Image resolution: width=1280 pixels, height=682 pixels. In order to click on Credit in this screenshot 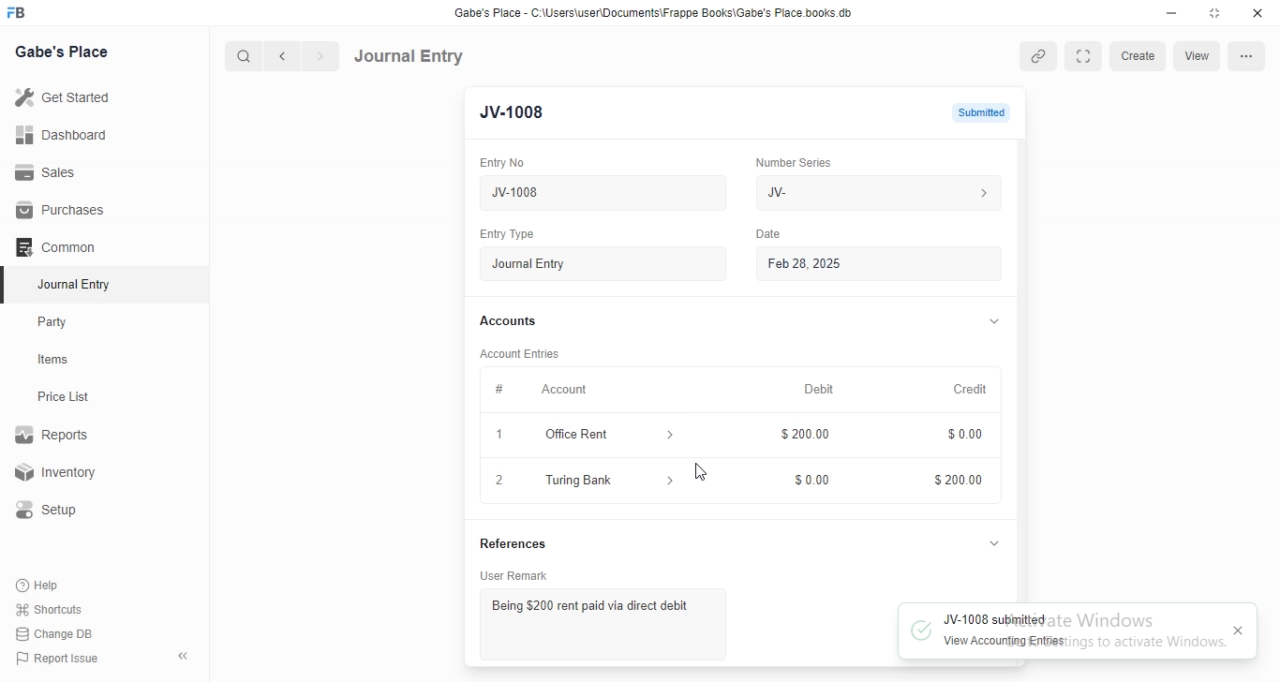, I will do `click(970, 391)`.